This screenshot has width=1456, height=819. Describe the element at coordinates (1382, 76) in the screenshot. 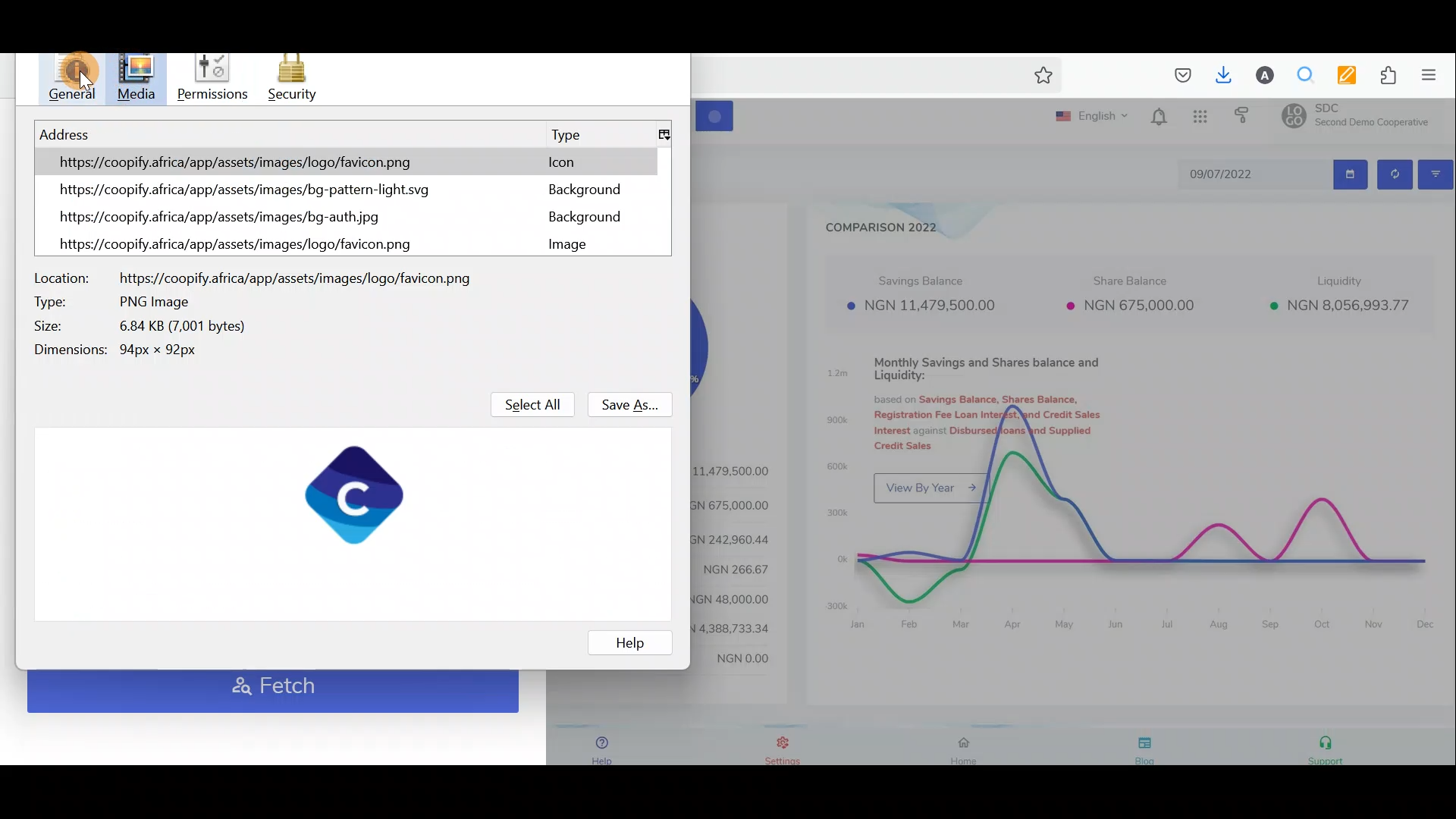

I see `Extension` at that location.